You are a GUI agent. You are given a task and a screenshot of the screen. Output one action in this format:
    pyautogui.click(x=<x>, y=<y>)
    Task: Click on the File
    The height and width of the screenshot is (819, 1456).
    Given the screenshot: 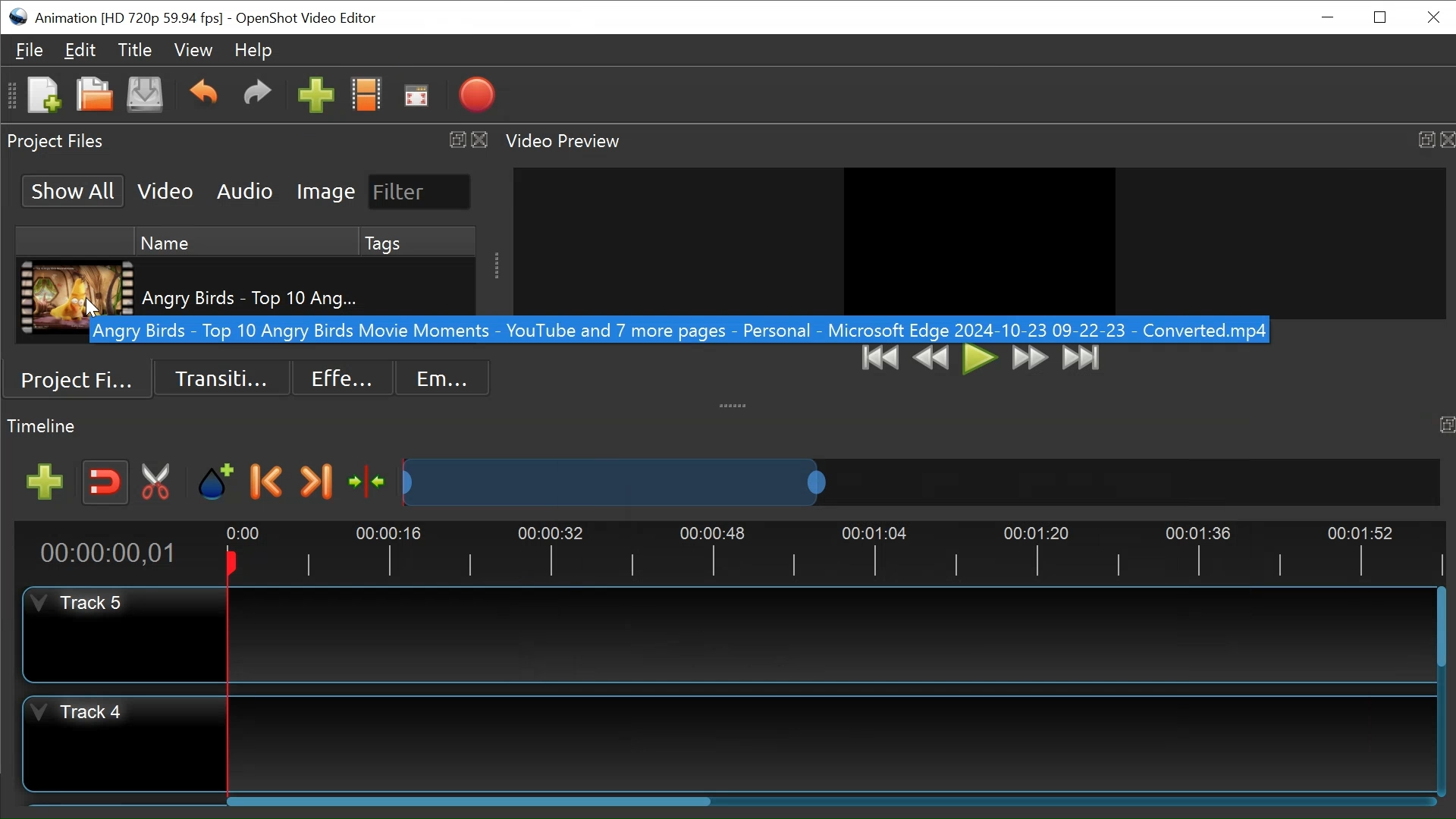 What is the action you would take?
    pyautogui.click(x=30, y=50)
    